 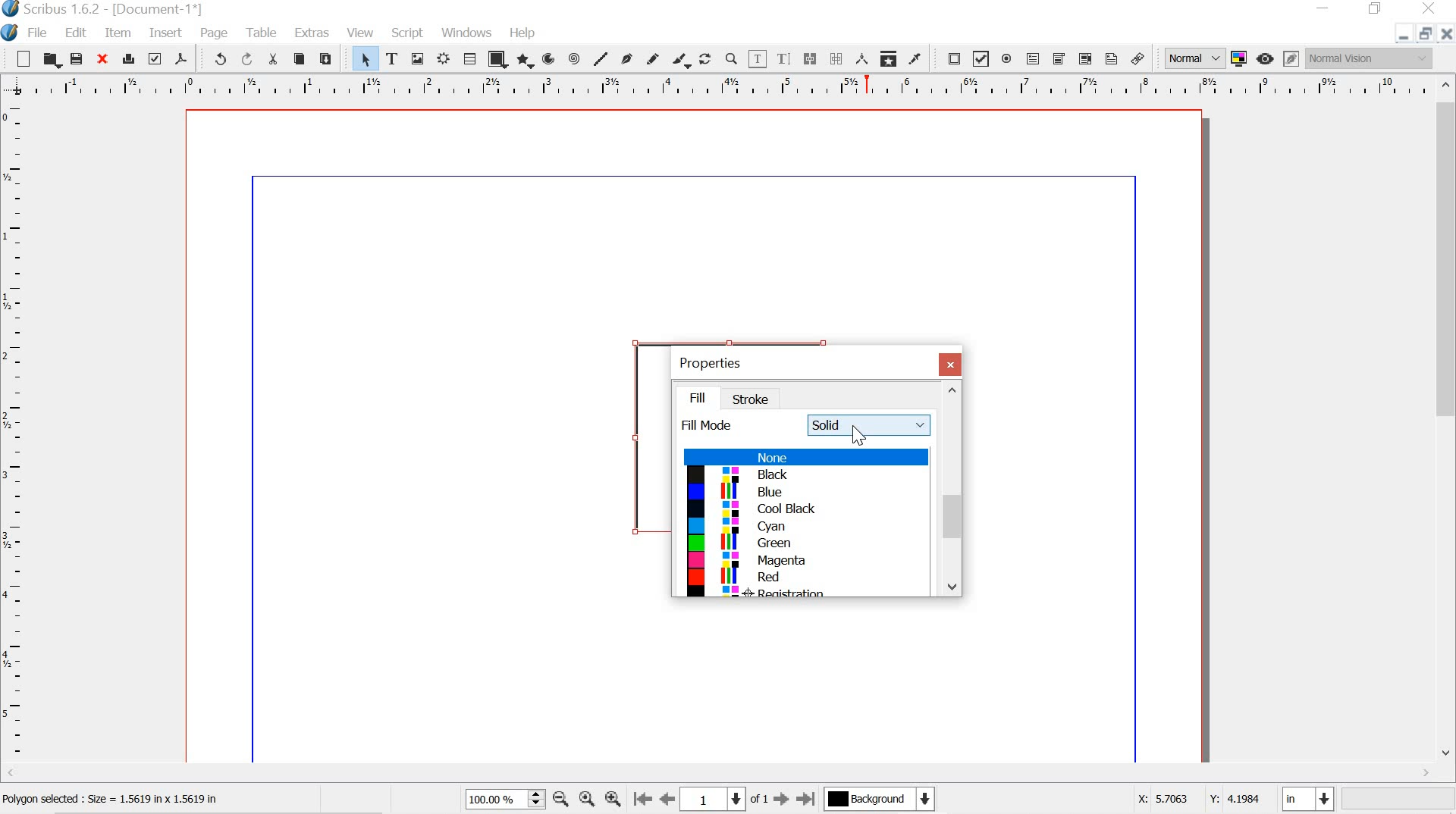 What do you see at coordinates (105, 60) in the screenshot?
I see `close` at bounding box center [105, 60].